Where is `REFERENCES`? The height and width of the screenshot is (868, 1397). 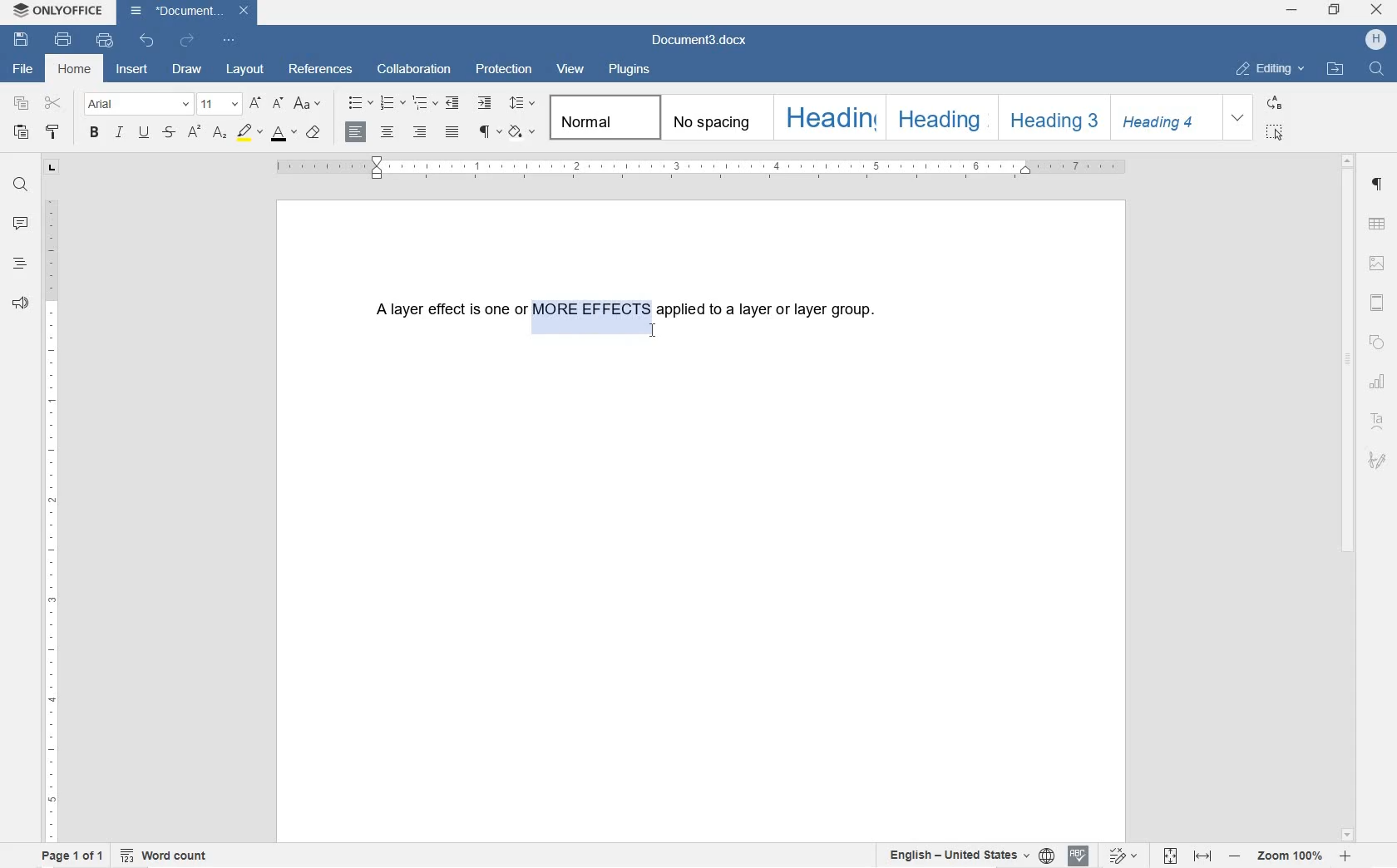
REFERENCES is located at coordinates (323, 71).